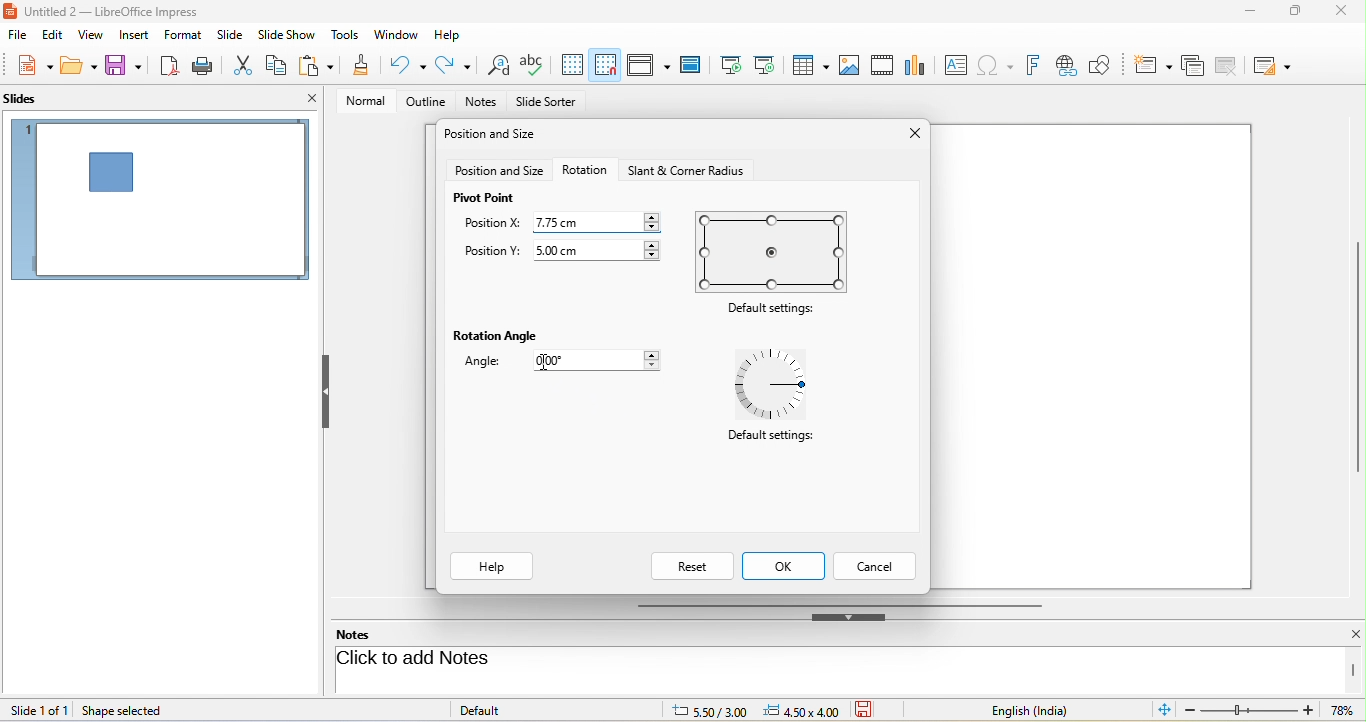  I want to click on 5.00 cm, so click(601, 248).